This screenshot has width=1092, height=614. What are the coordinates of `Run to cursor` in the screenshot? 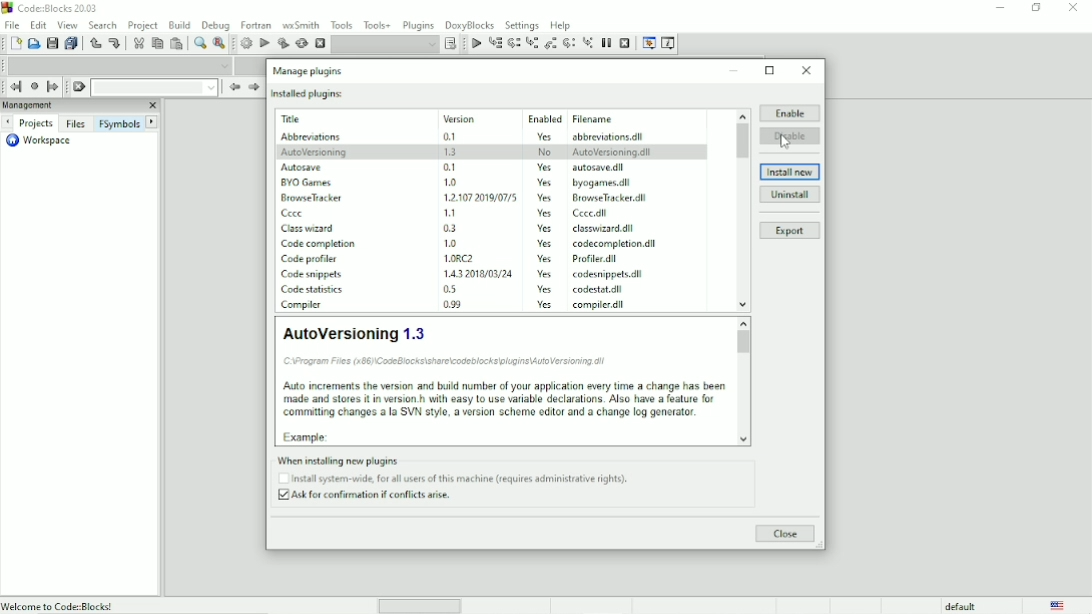 It's located at (475, 44).